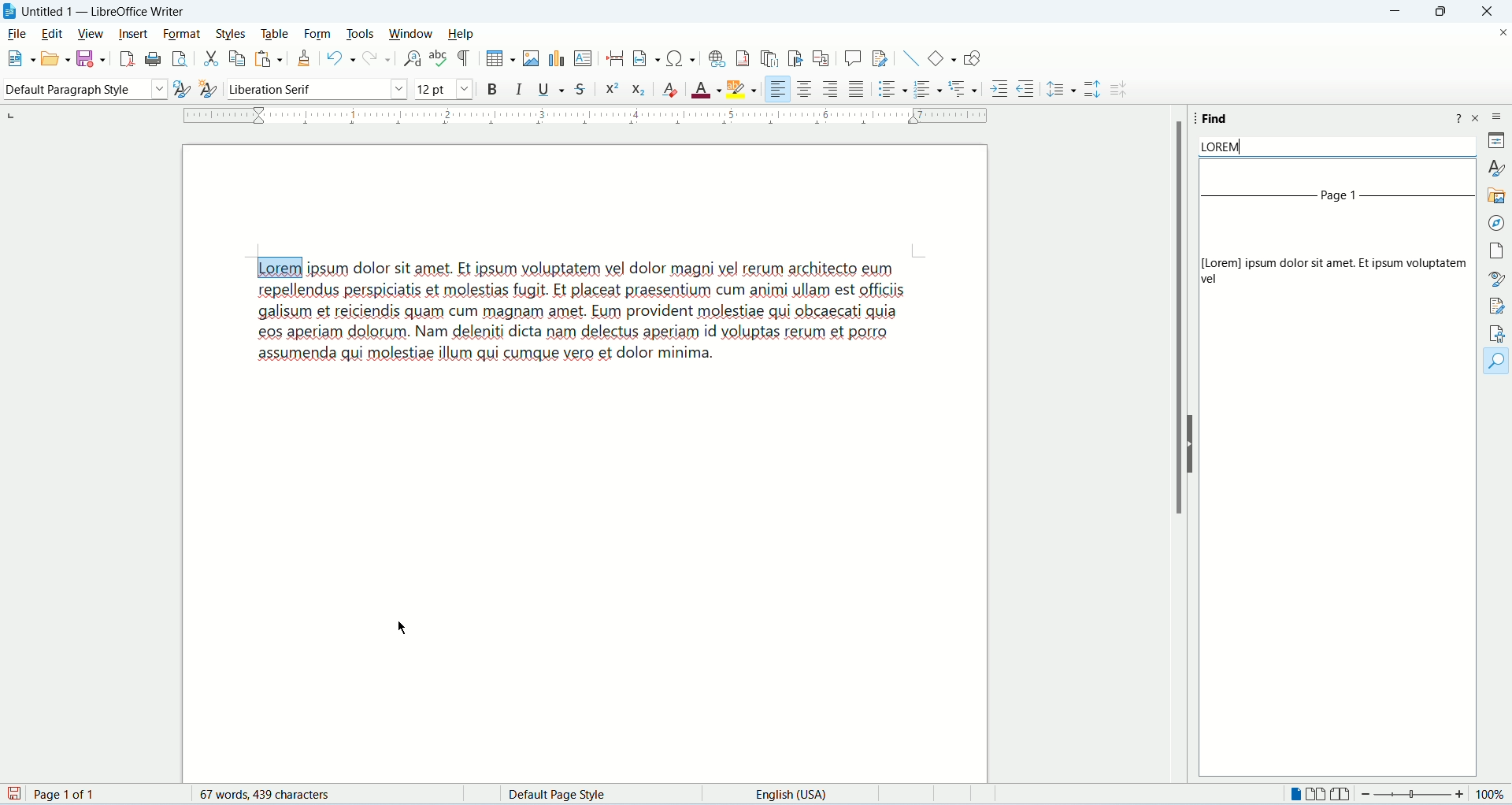 This screenshot has width=1512, height=805. What do you see at coordinates (209, 59) in the screenshot?
I see `cut` at bounding box center [209, 59].